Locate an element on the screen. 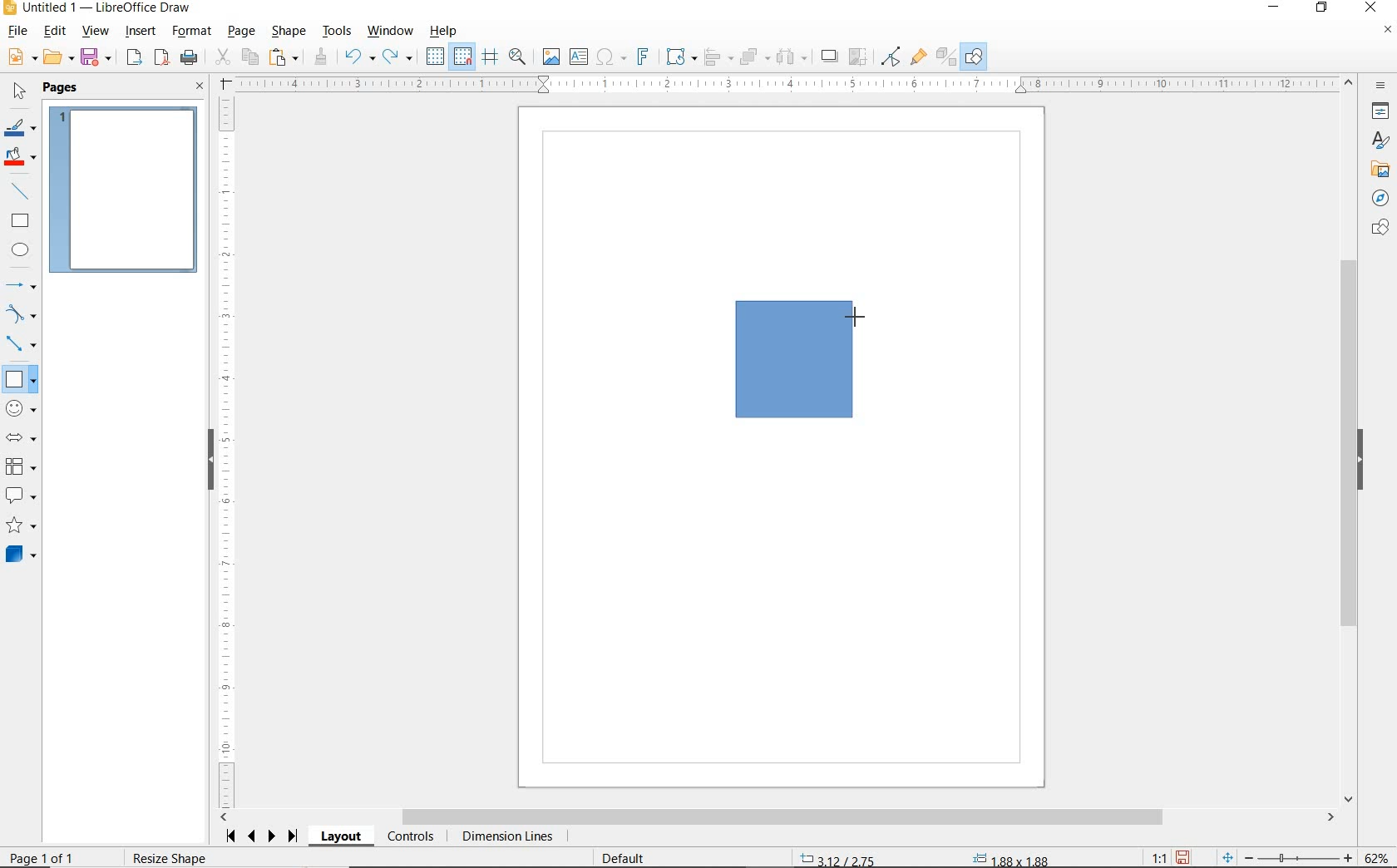 The width and height of the screenshot is (1397, 868). ALIGN OBJECTS is located at coordinates (718, 57).